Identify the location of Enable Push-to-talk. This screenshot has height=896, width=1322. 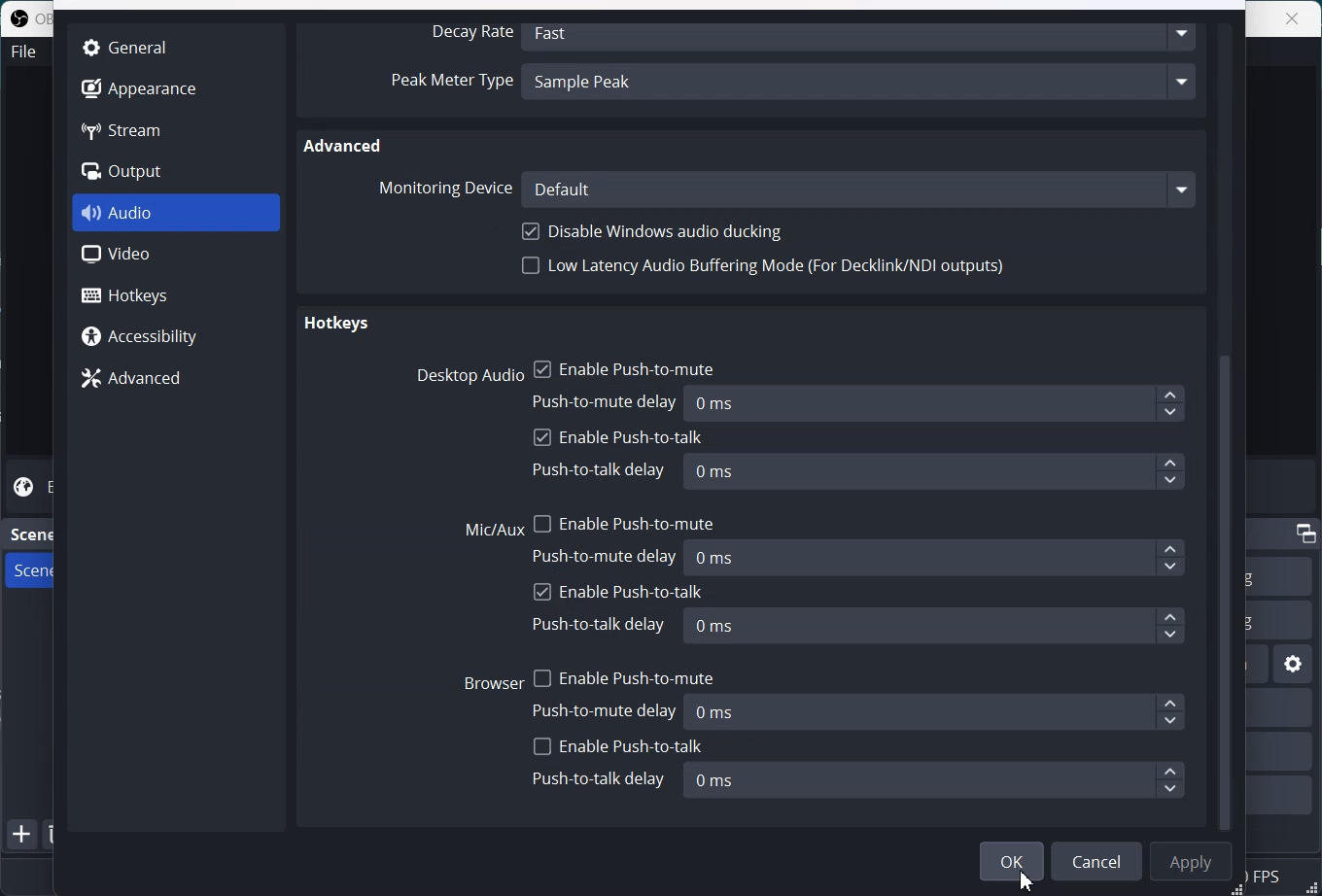
(618, 591).